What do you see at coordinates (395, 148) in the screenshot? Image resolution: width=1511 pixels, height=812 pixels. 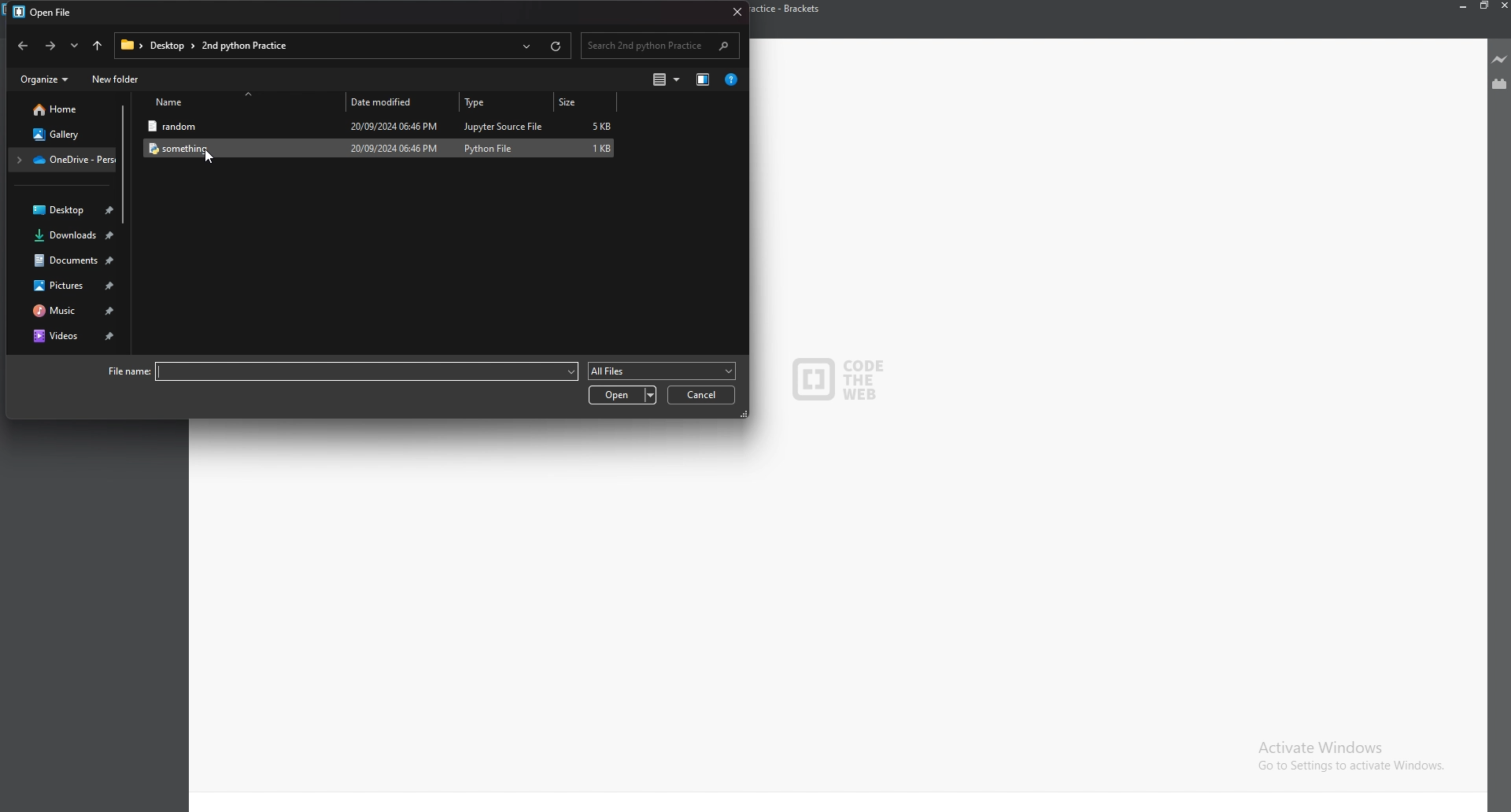 I see `20/09/2024 06:46 PM` at bounding box center [395, 148].